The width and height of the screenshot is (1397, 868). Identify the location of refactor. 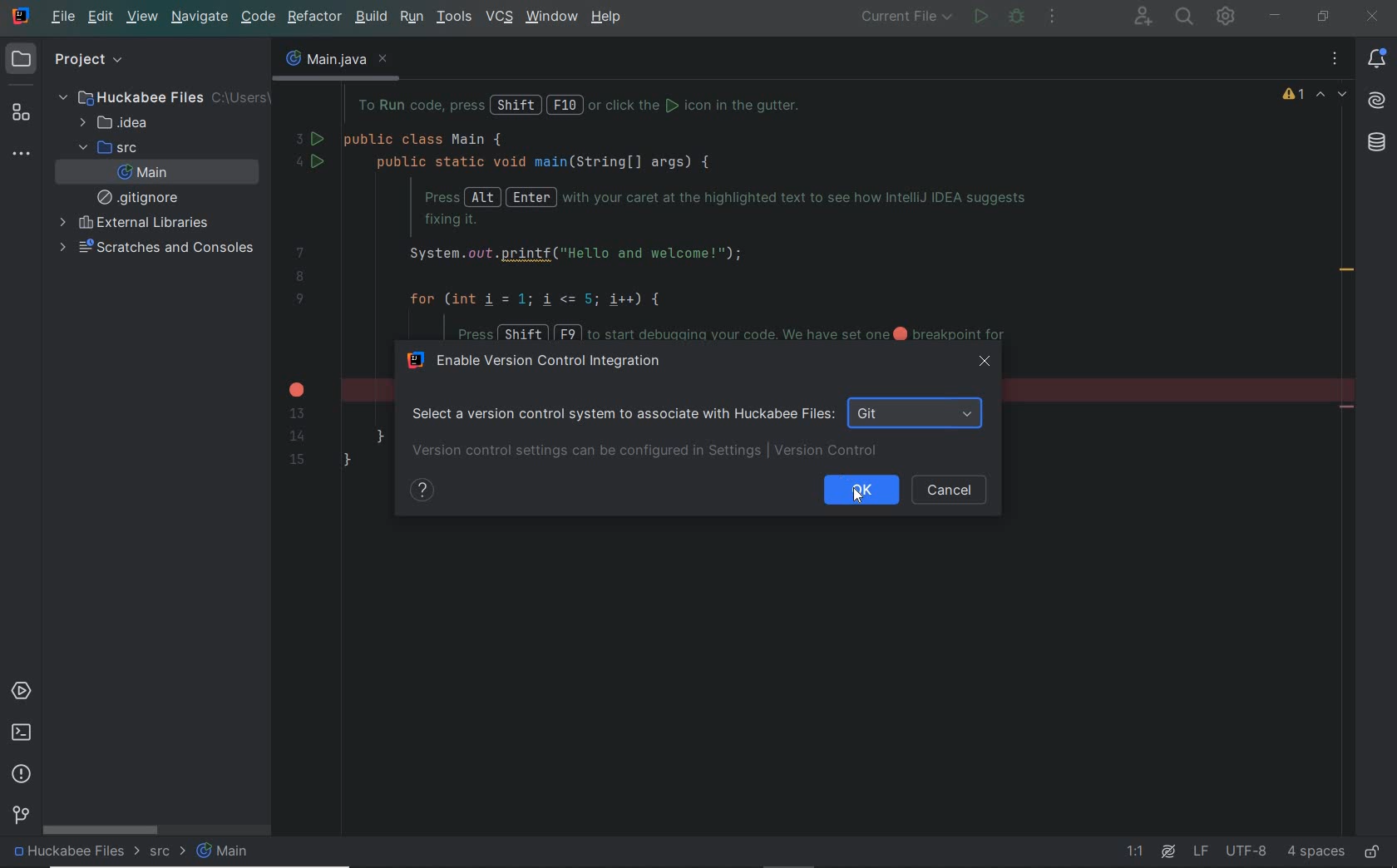
(315, 18).